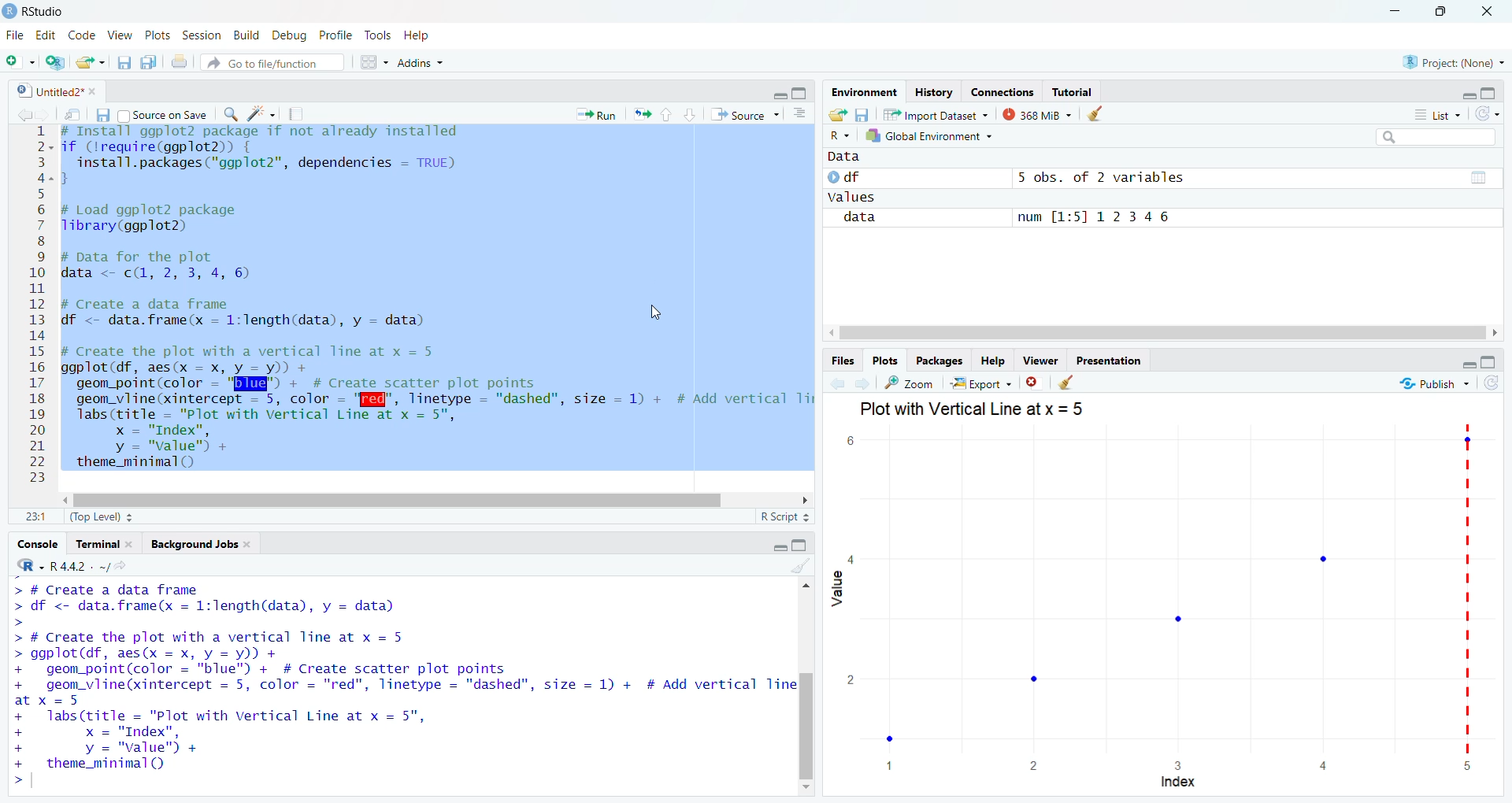  What do you see at coordinates (983, 385) in the screenshot?
I see `| Export ~` at bounding box center [983, 385].